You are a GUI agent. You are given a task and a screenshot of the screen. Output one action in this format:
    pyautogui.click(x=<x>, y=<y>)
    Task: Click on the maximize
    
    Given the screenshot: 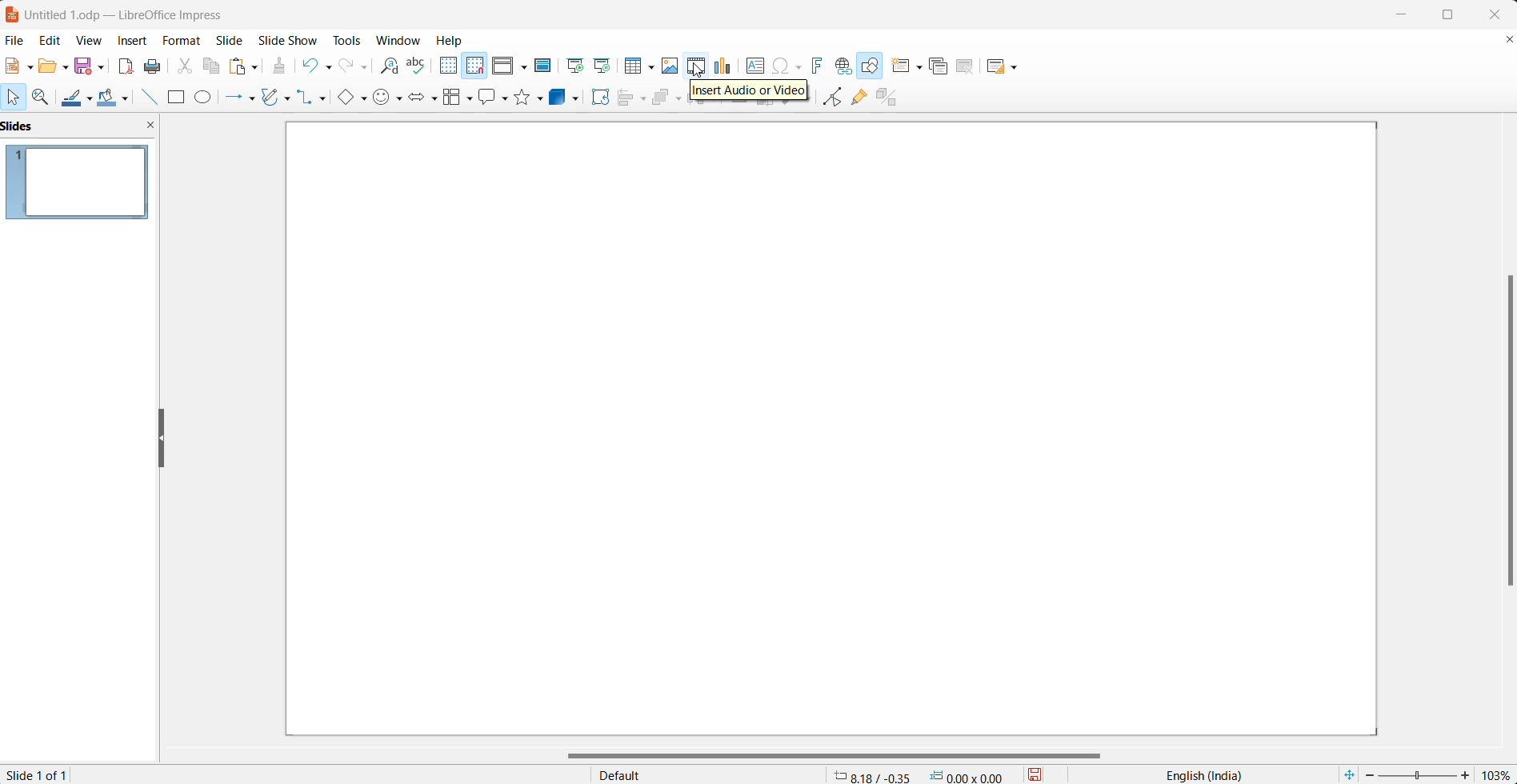 What is the action you would take?
    pyautogui.click(x=1453, y=16)
    